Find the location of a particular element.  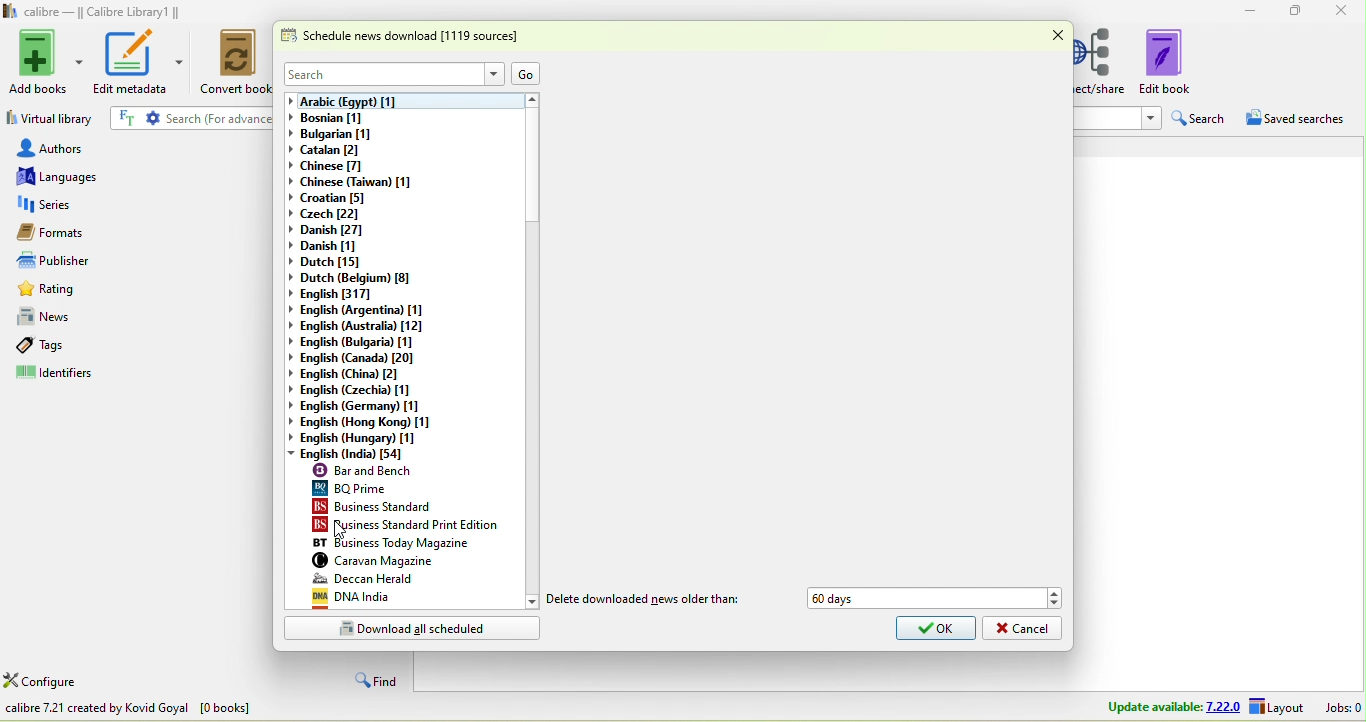

english (bulgaria)[1] is located at coordinates (364, 342).